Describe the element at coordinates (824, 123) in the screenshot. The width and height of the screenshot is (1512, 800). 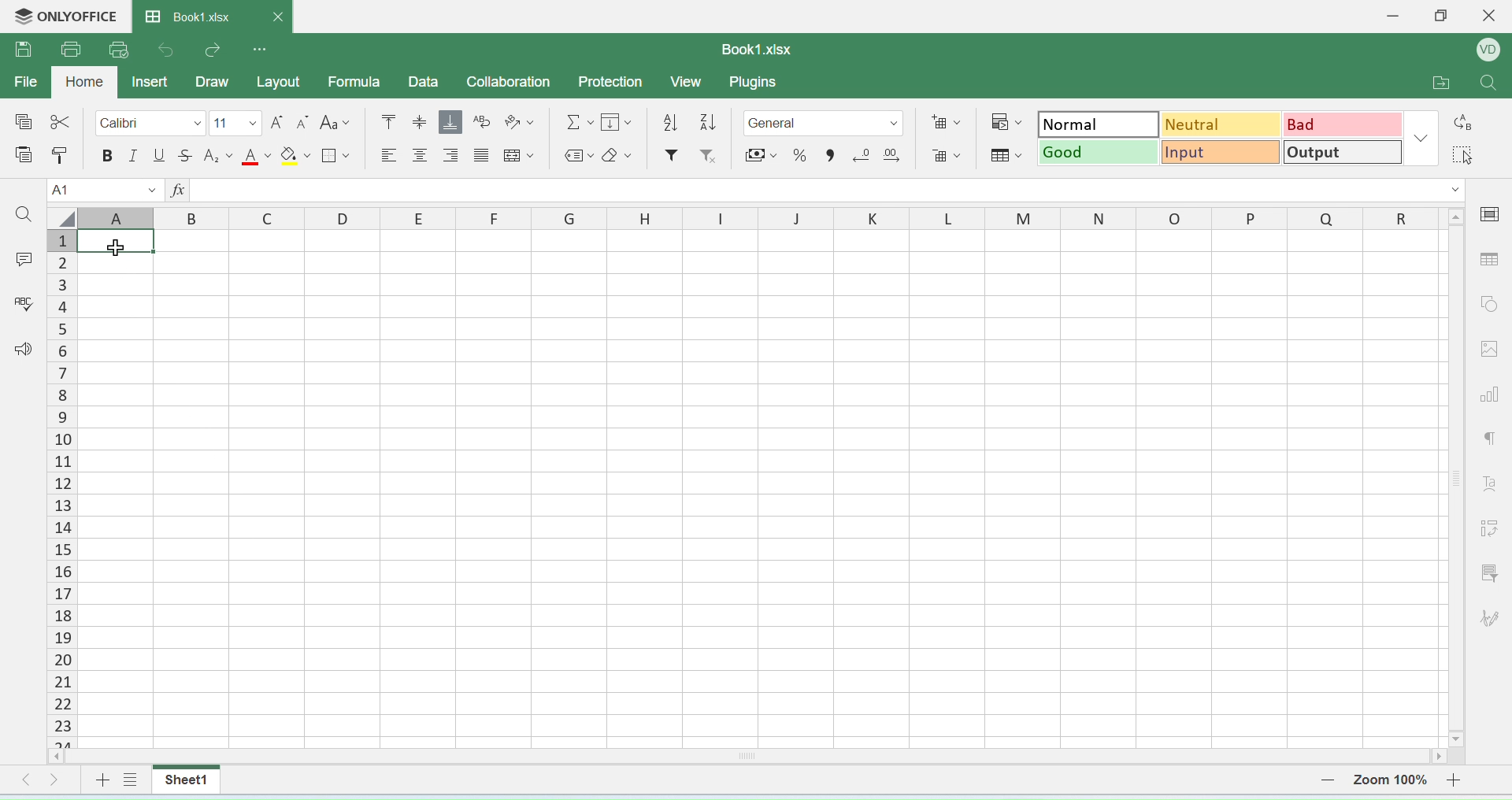
I see `format` at that location.